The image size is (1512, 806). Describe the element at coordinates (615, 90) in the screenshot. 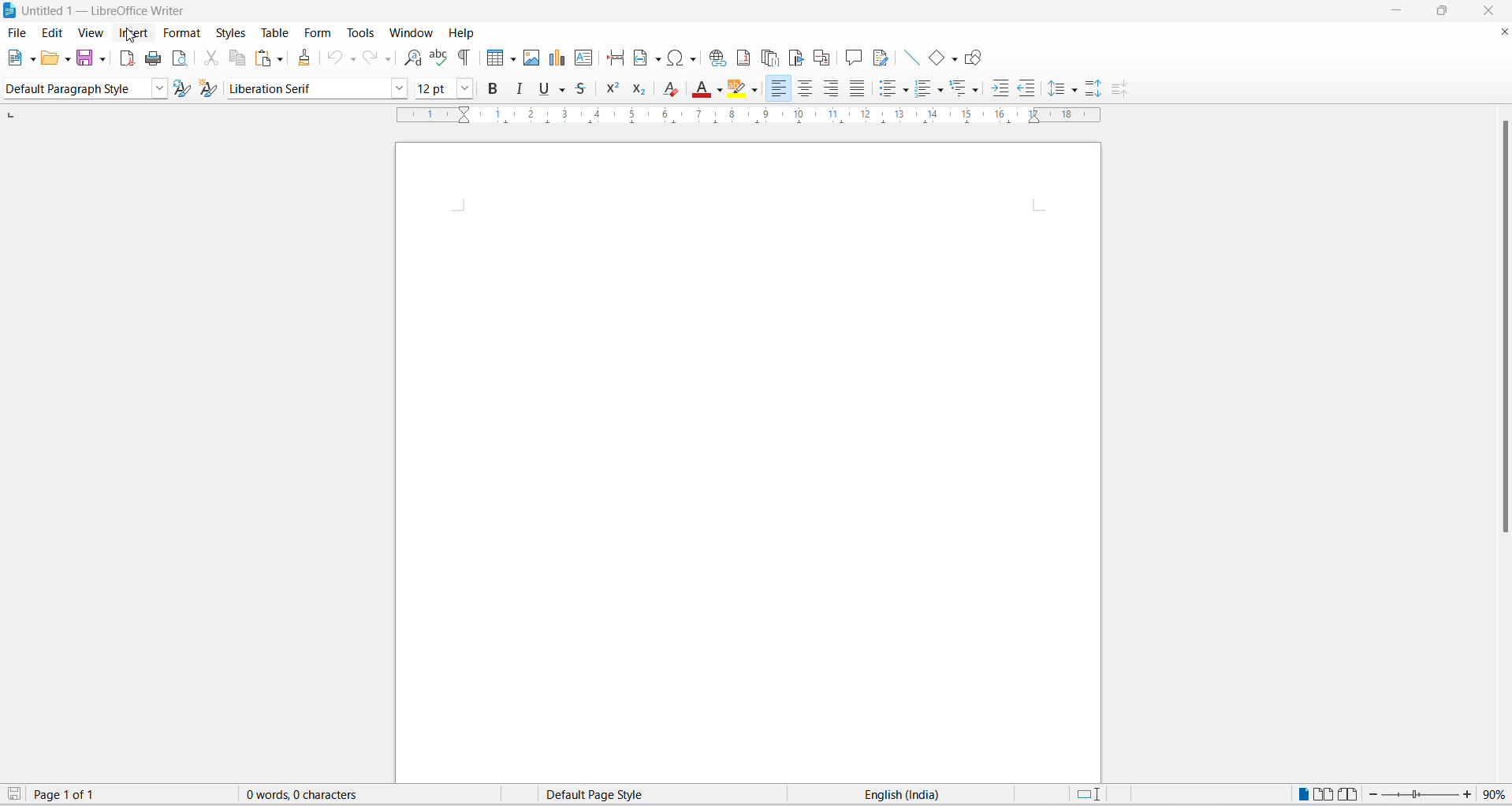

I see `superscript` at that location.